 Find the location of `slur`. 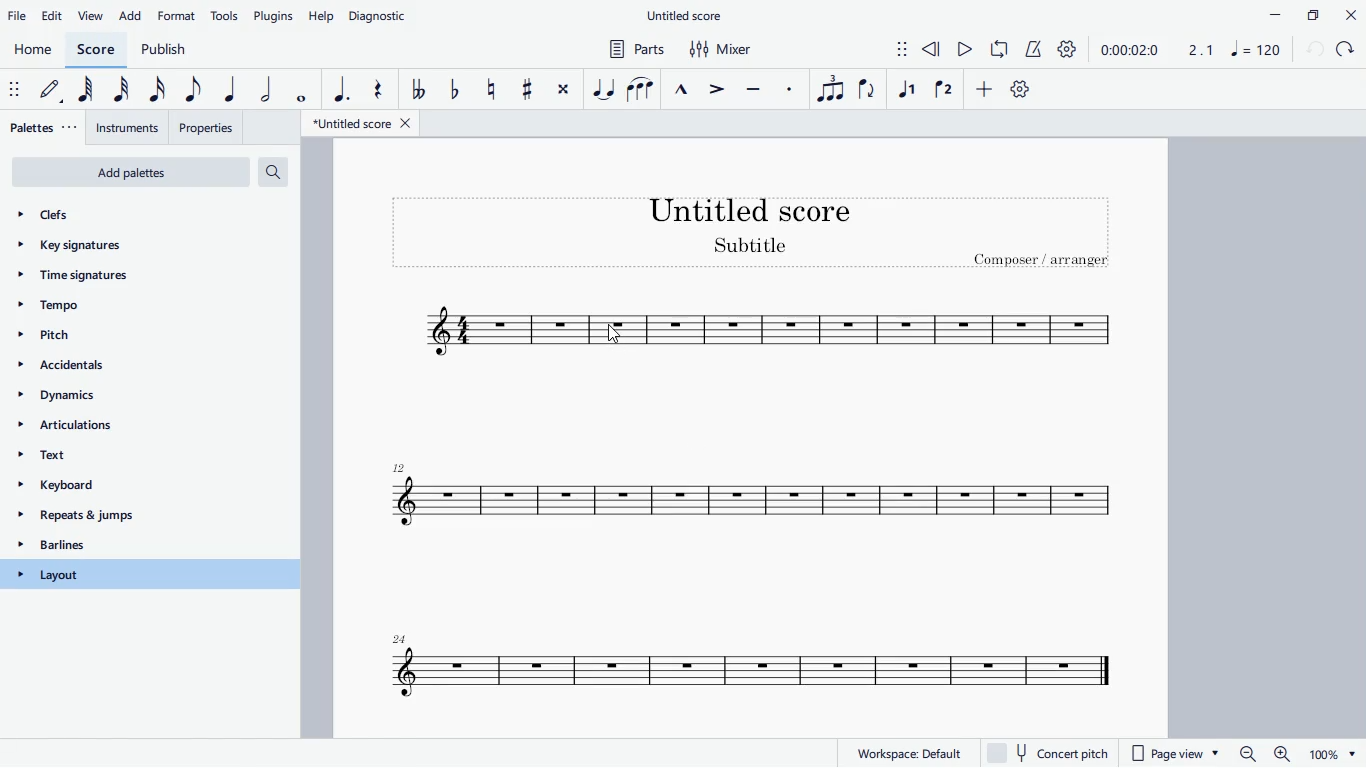

slur is located at coordinates (640, 87).